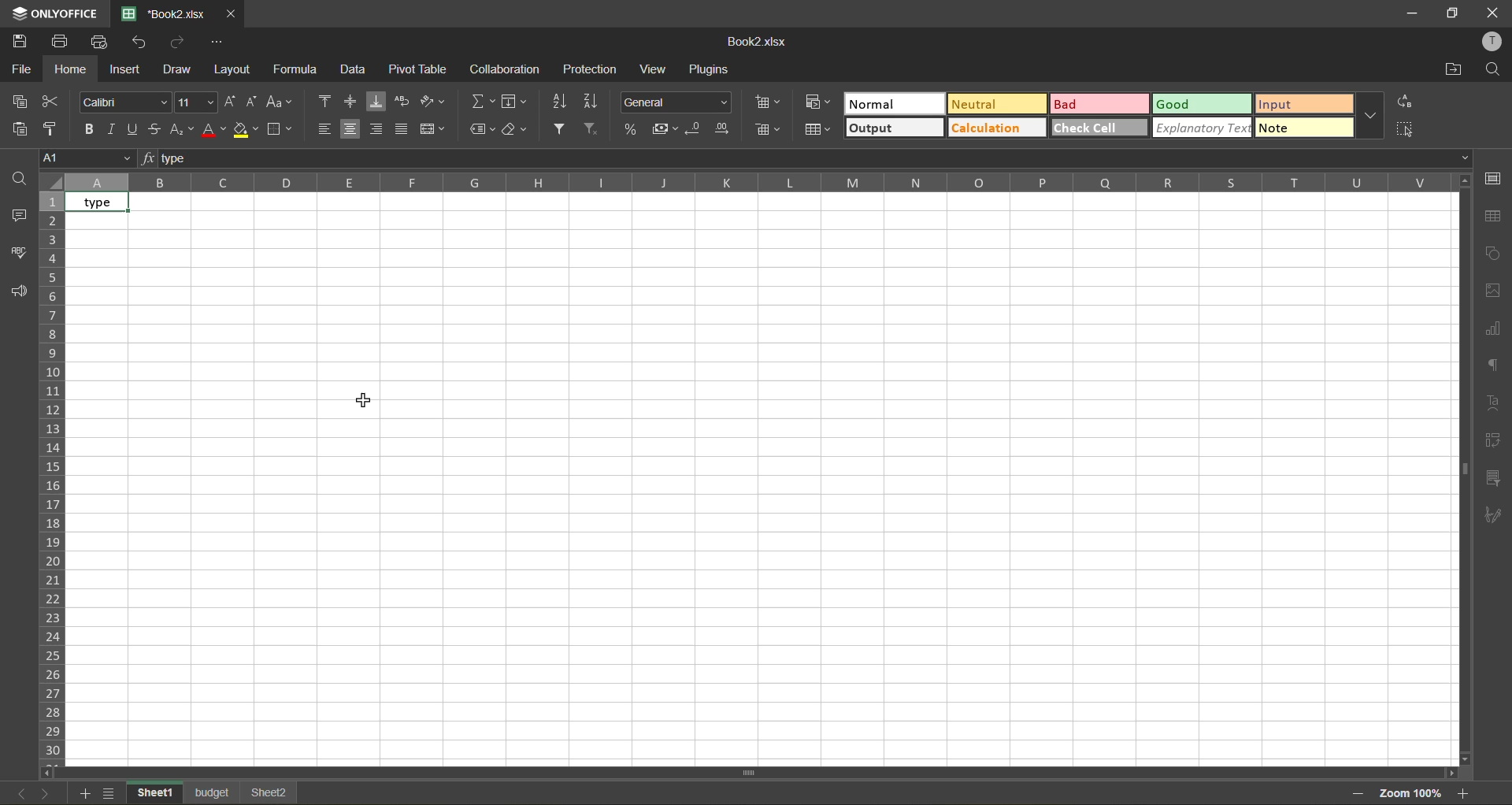 This screenshot has width=1512, height=805. I want to click on print, so click(65, 42).